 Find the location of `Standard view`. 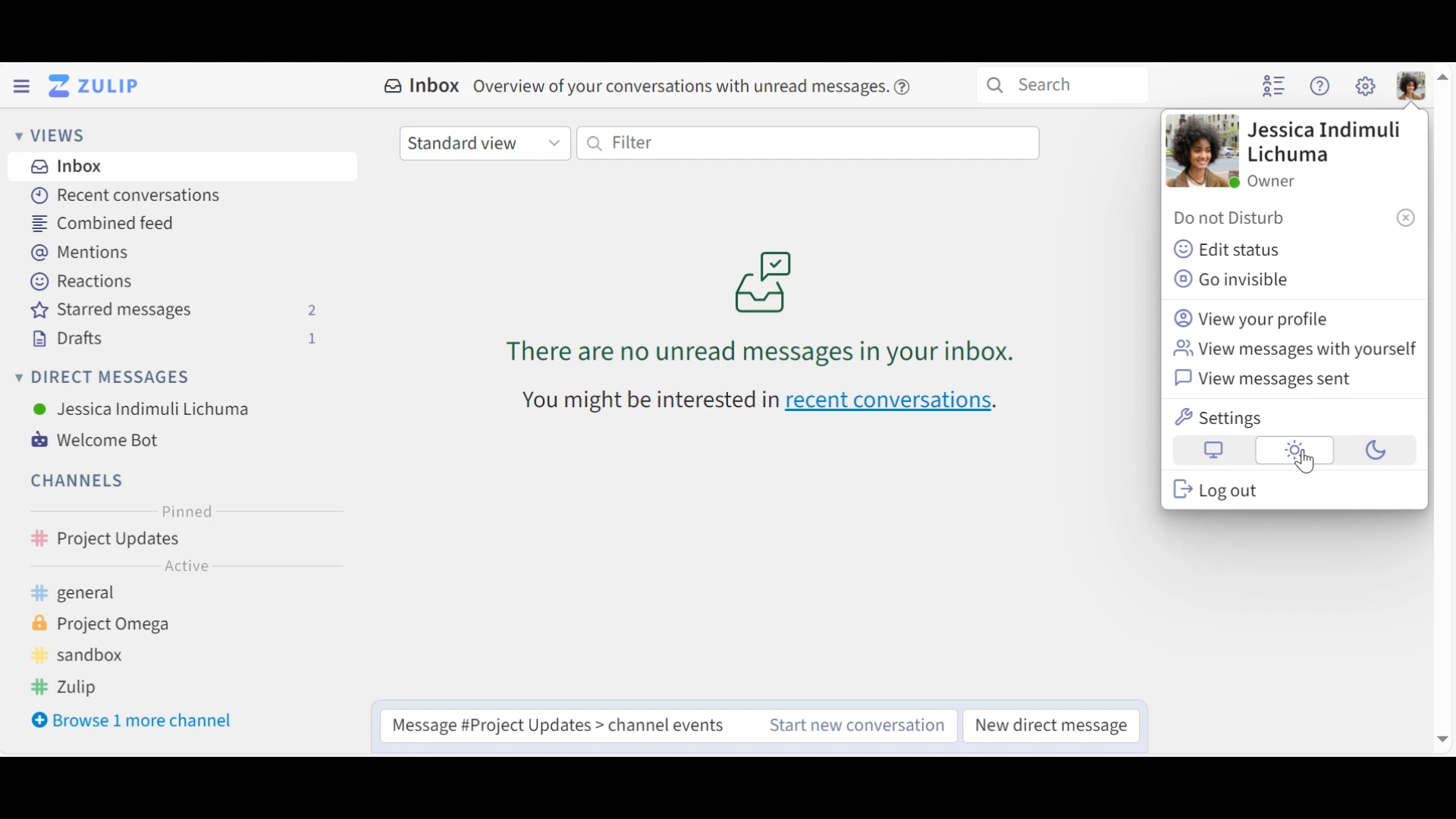

Standard view is located at coordinates (485, 144).